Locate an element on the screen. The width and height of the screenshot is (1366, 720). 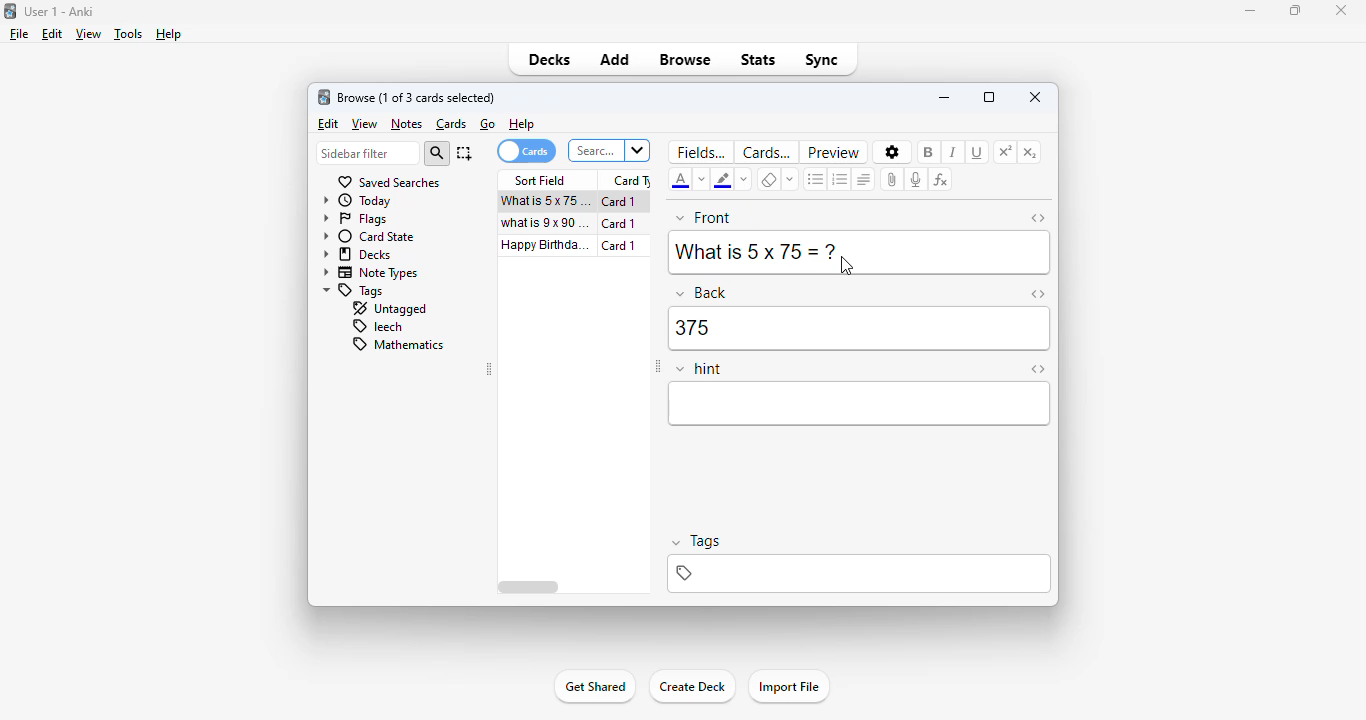
remove formatting is located at coordinates (770, 179).